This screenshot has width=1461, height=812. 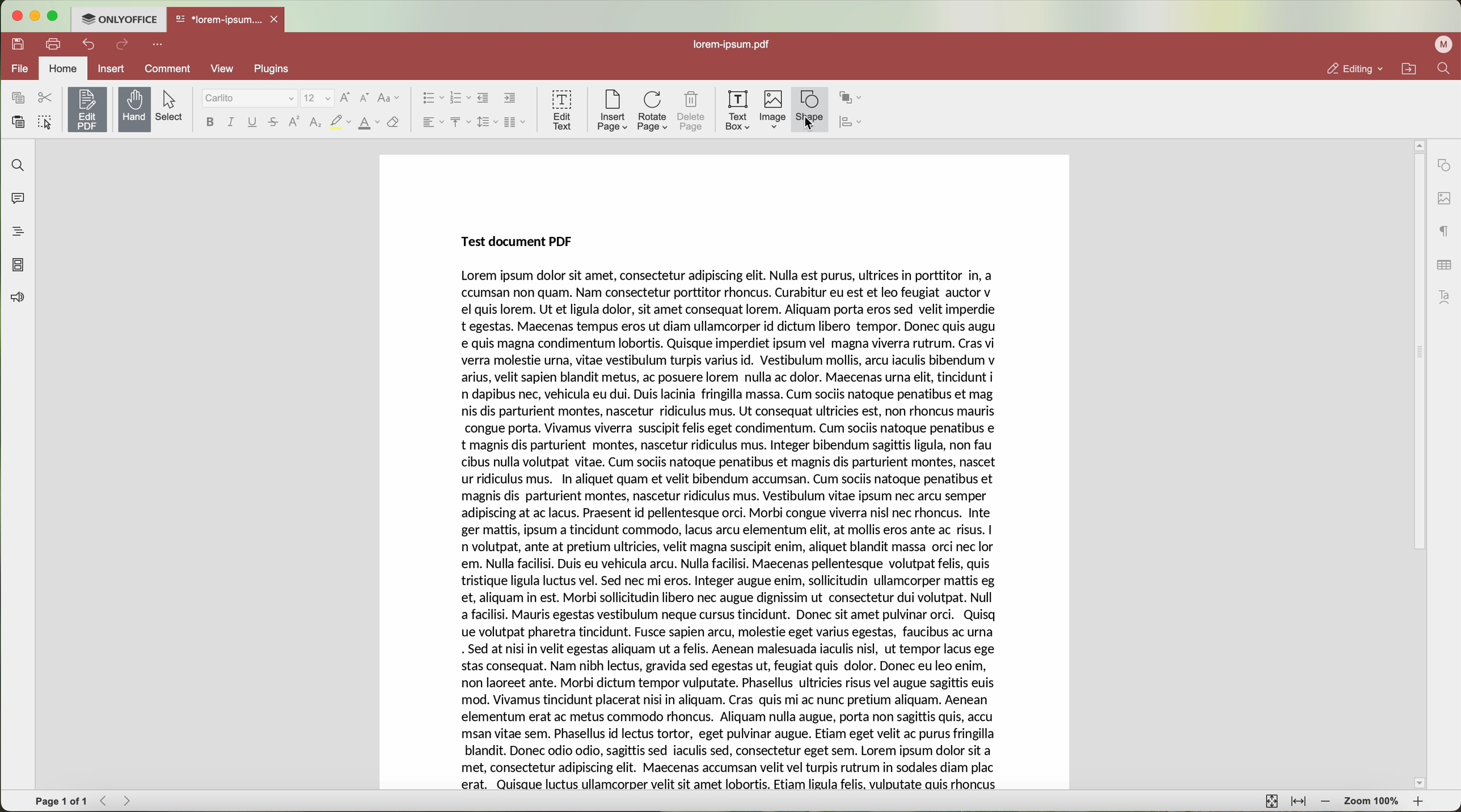 I want to click on image settings, so click(x=1443, y=198).